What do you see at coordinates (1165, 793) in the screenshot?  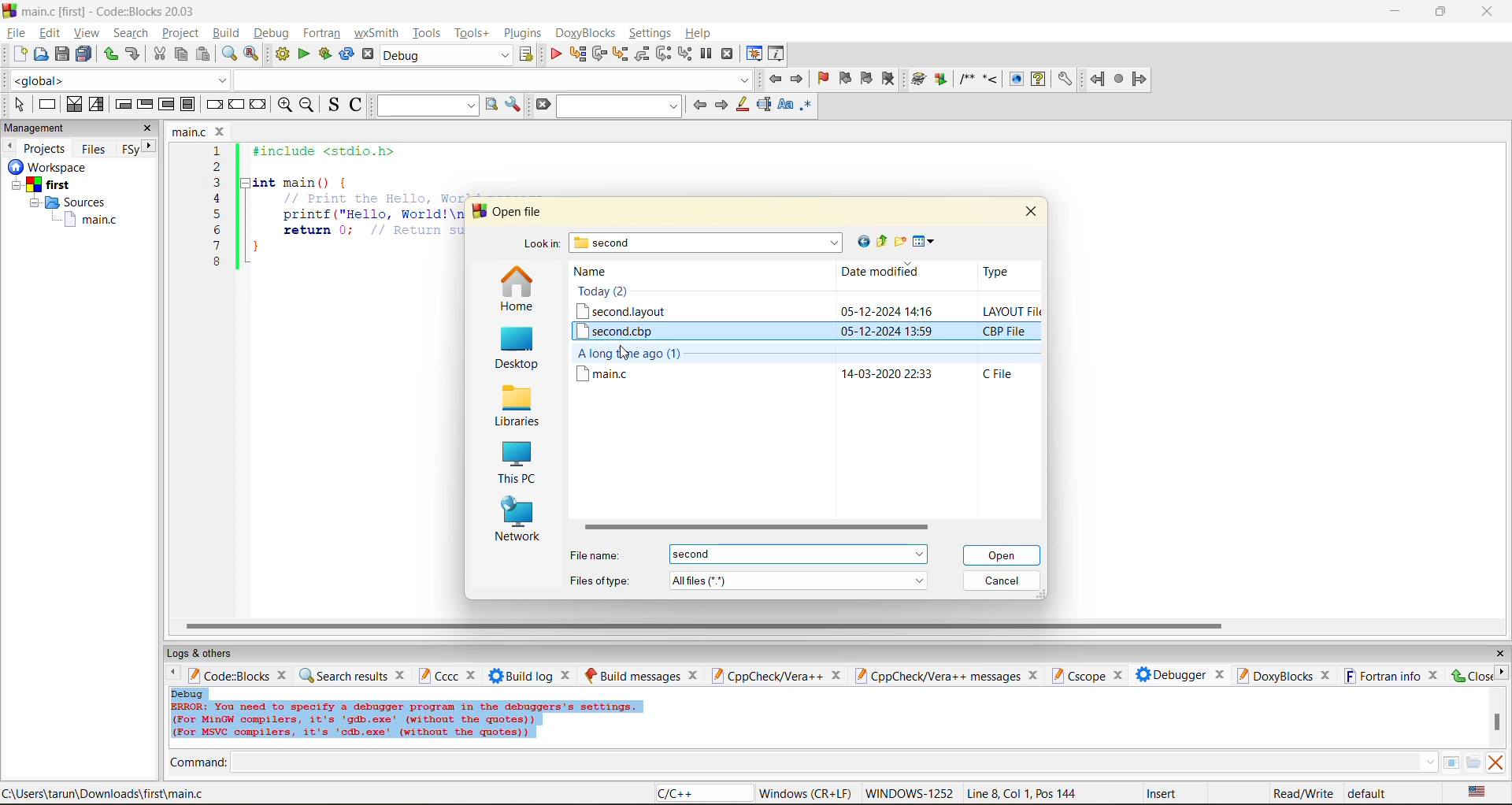 I see `insert` at bounding box center [1165, 793].